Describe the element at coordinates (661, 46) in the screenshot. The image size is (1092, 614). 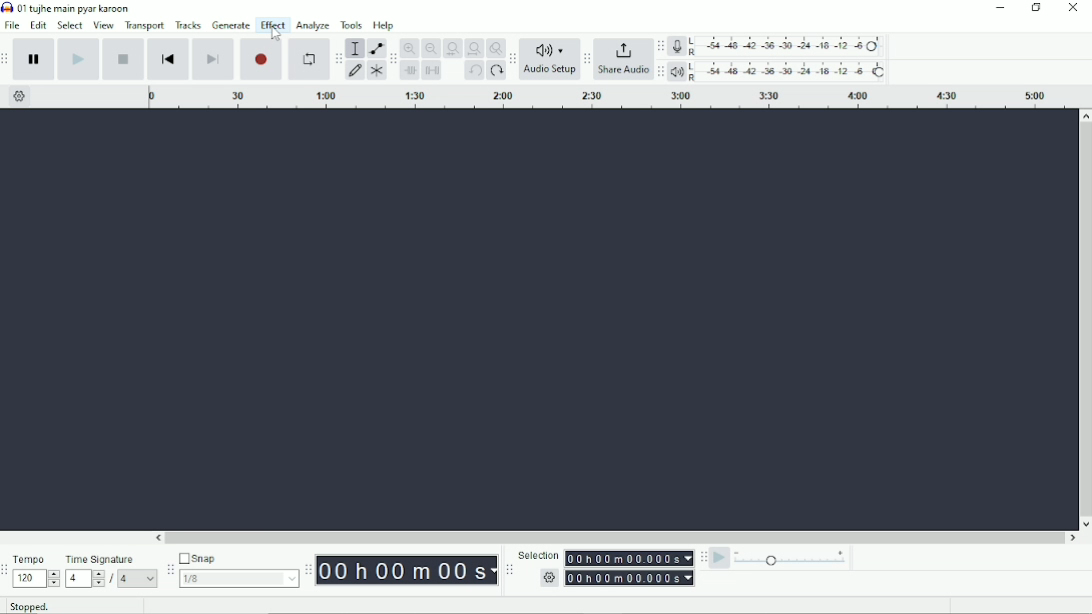
I see `Audacity record meter toolbar` at that location.